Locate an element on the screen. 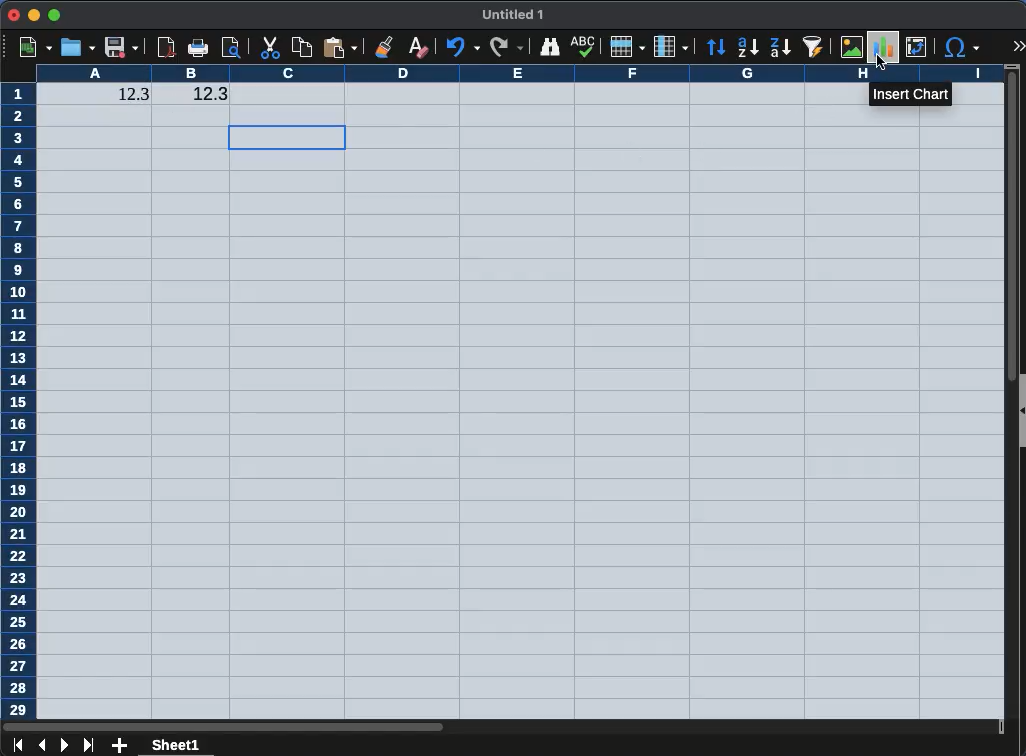 The width and height of the screenshot is (1026, 756). cut is located at coordinates (272, 48).